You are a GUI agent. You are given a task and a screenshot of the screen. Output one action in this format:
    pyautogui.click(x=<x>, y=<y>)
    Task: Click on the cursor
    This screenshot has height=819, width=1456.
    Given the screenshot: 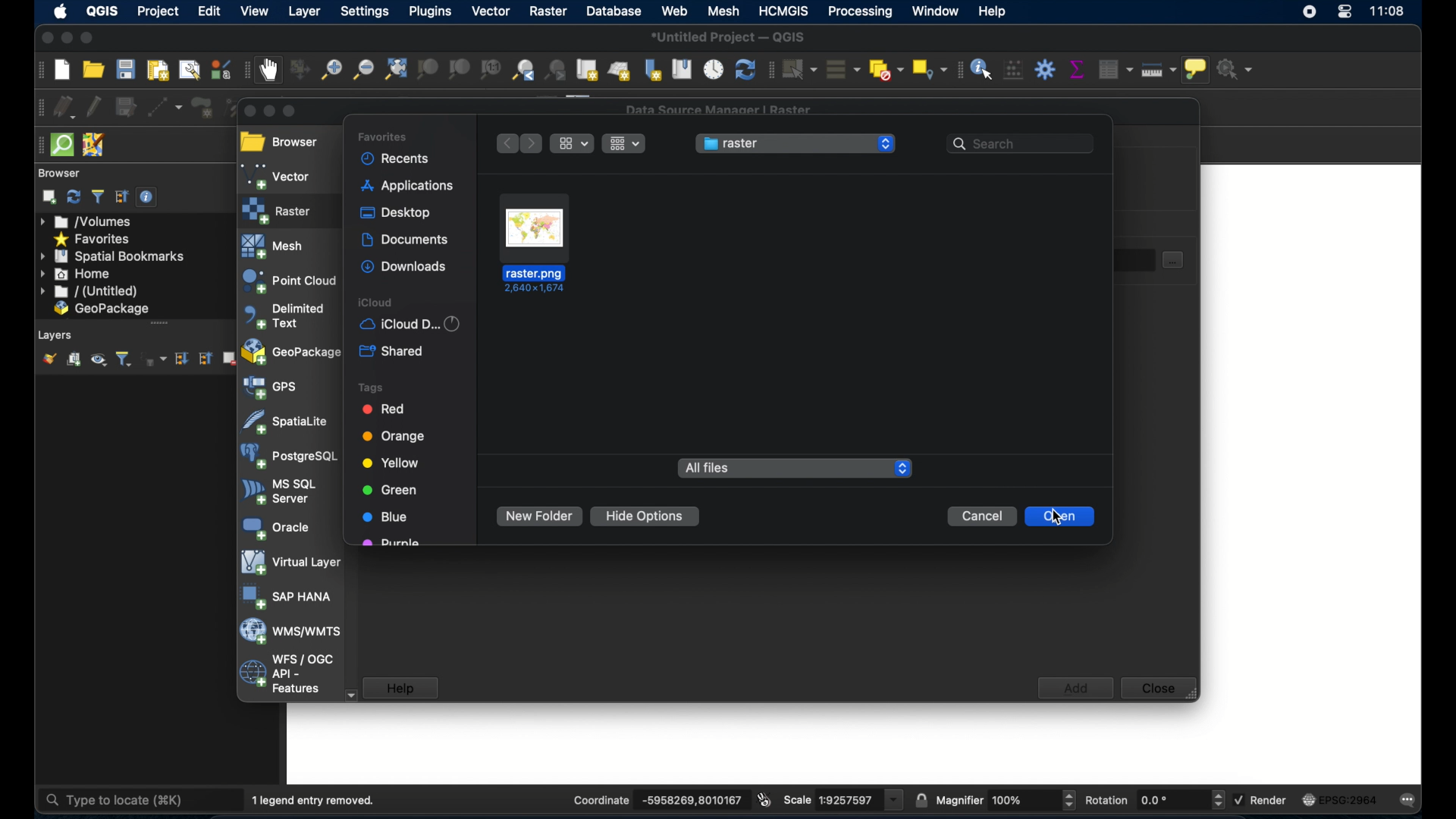 What is the action you would take?
    pyautogui.click(x=1059, y=516)
    